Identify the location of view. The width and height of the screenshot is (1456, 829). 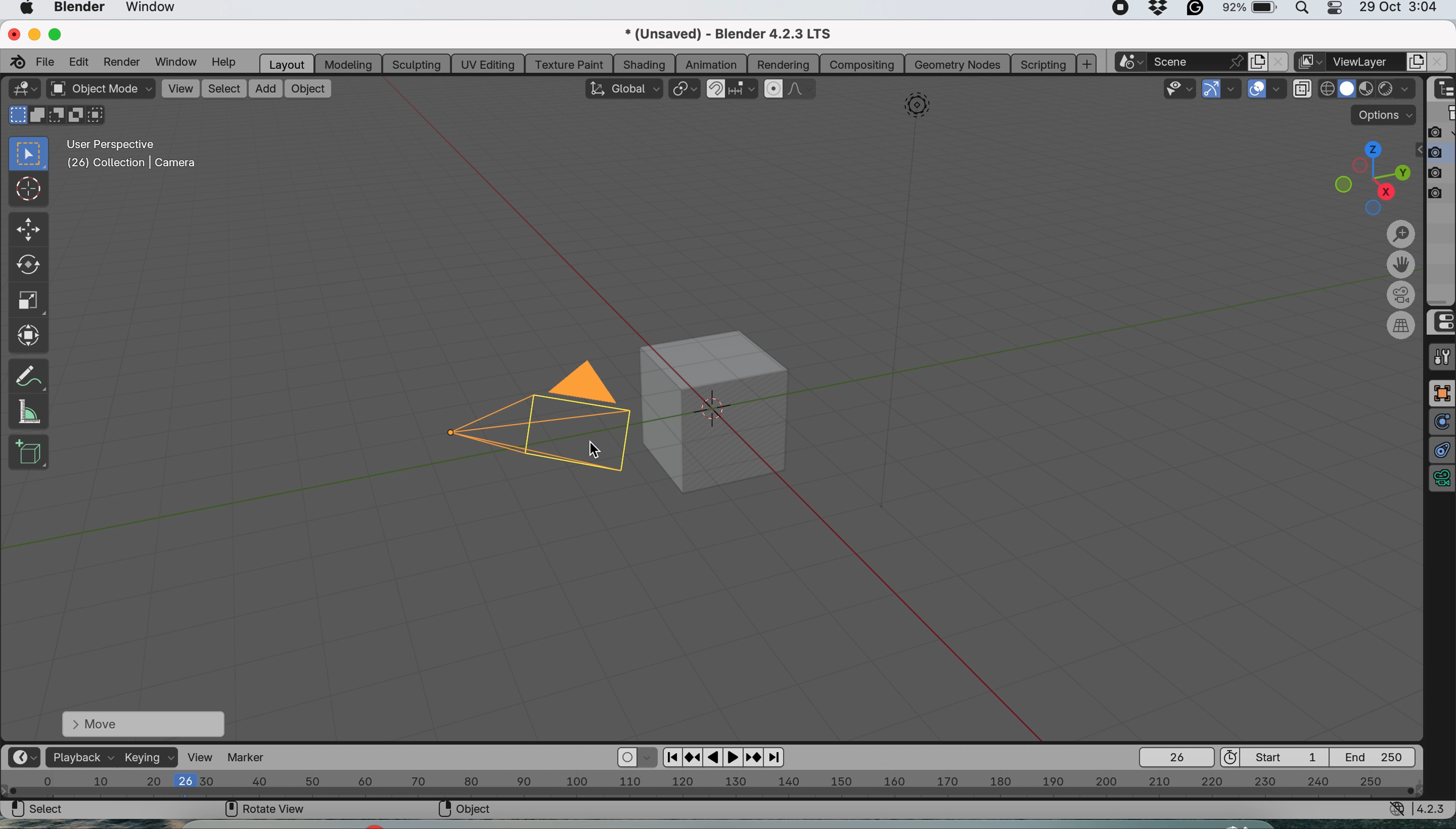
(202, 757).